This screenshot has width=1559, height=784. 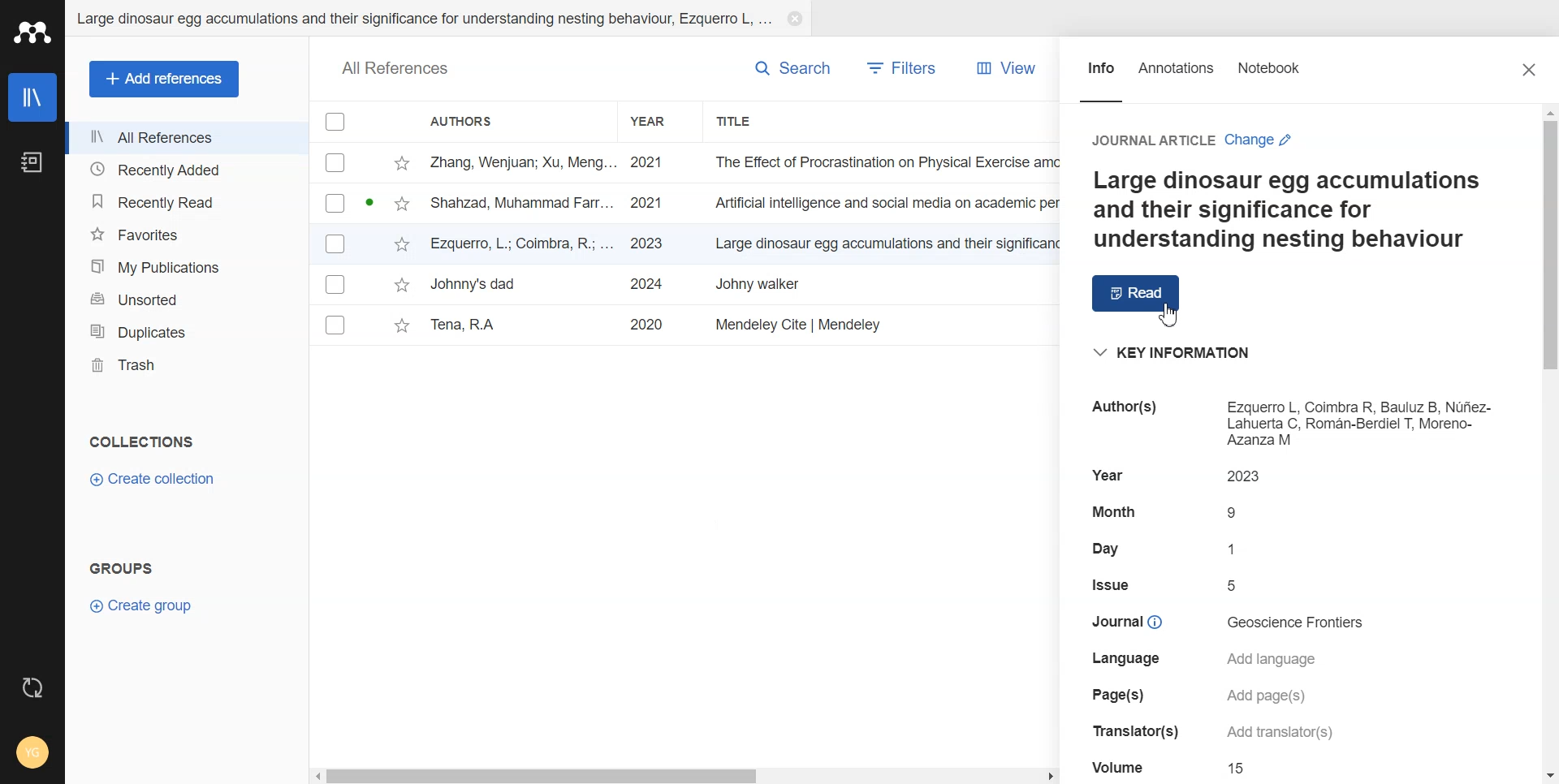 I want to click on Horizontal scroll bar, so click(x=685, y=775).